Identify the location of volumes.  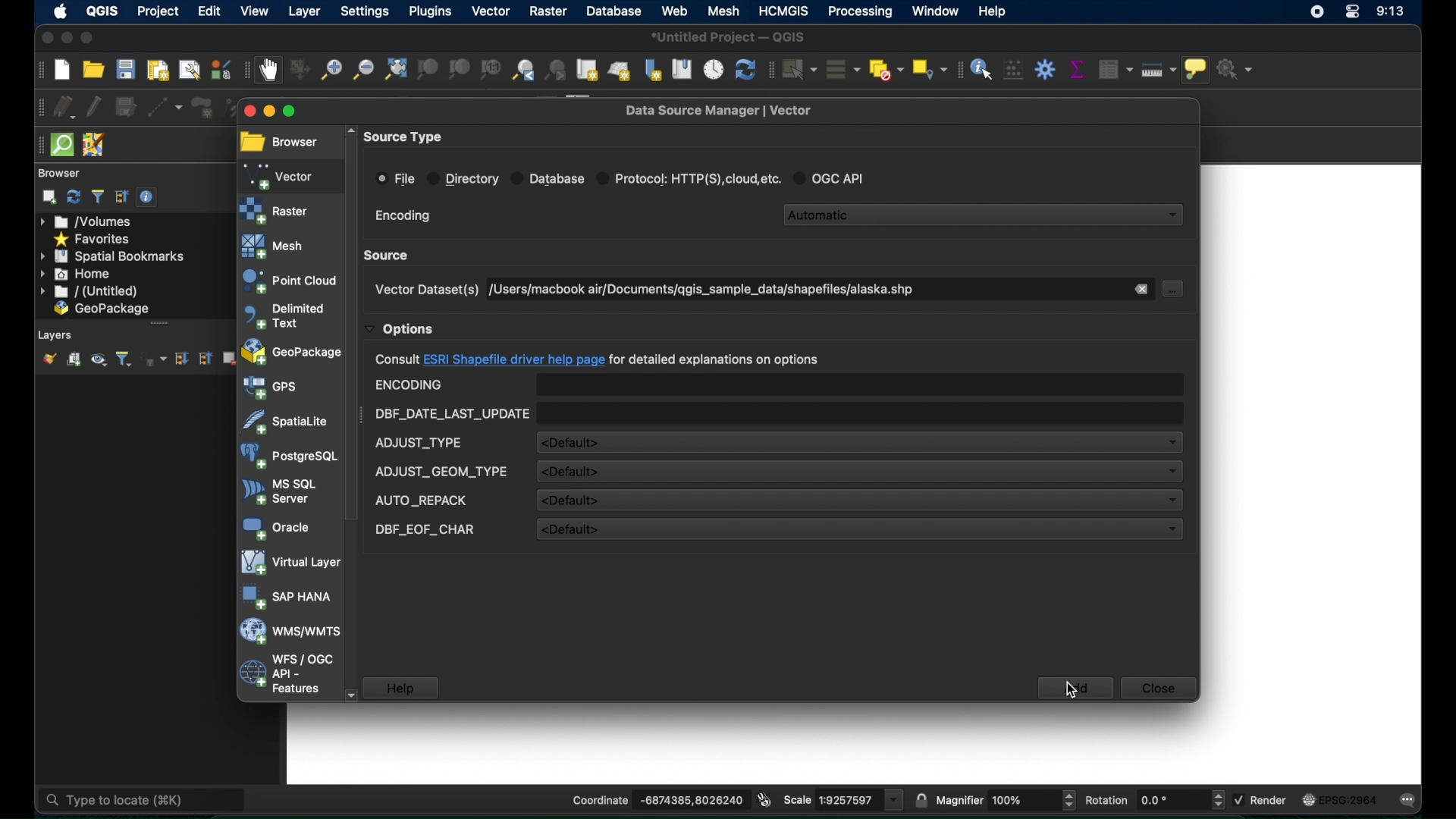
(93, 221).